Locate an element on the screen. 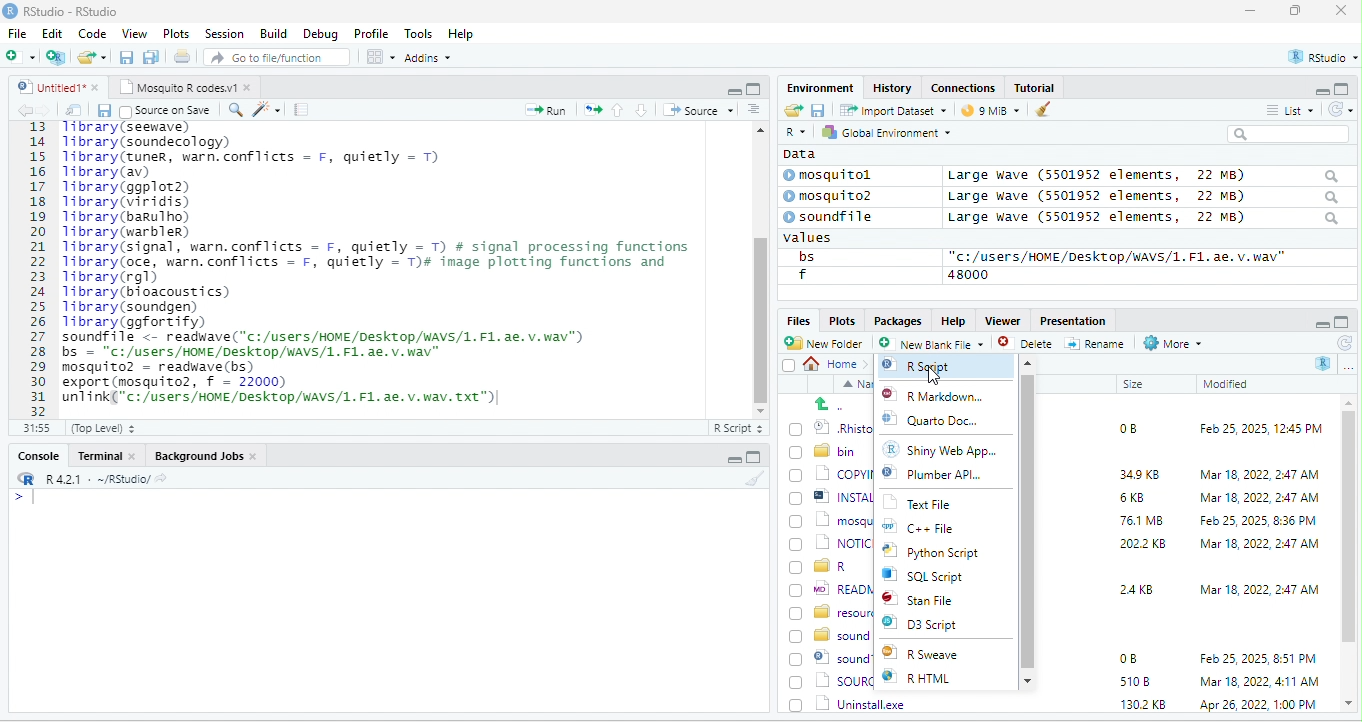 The width and height of the screenshot is (1362, 722). | @] INSTALL is located at coordinates (834, 496).